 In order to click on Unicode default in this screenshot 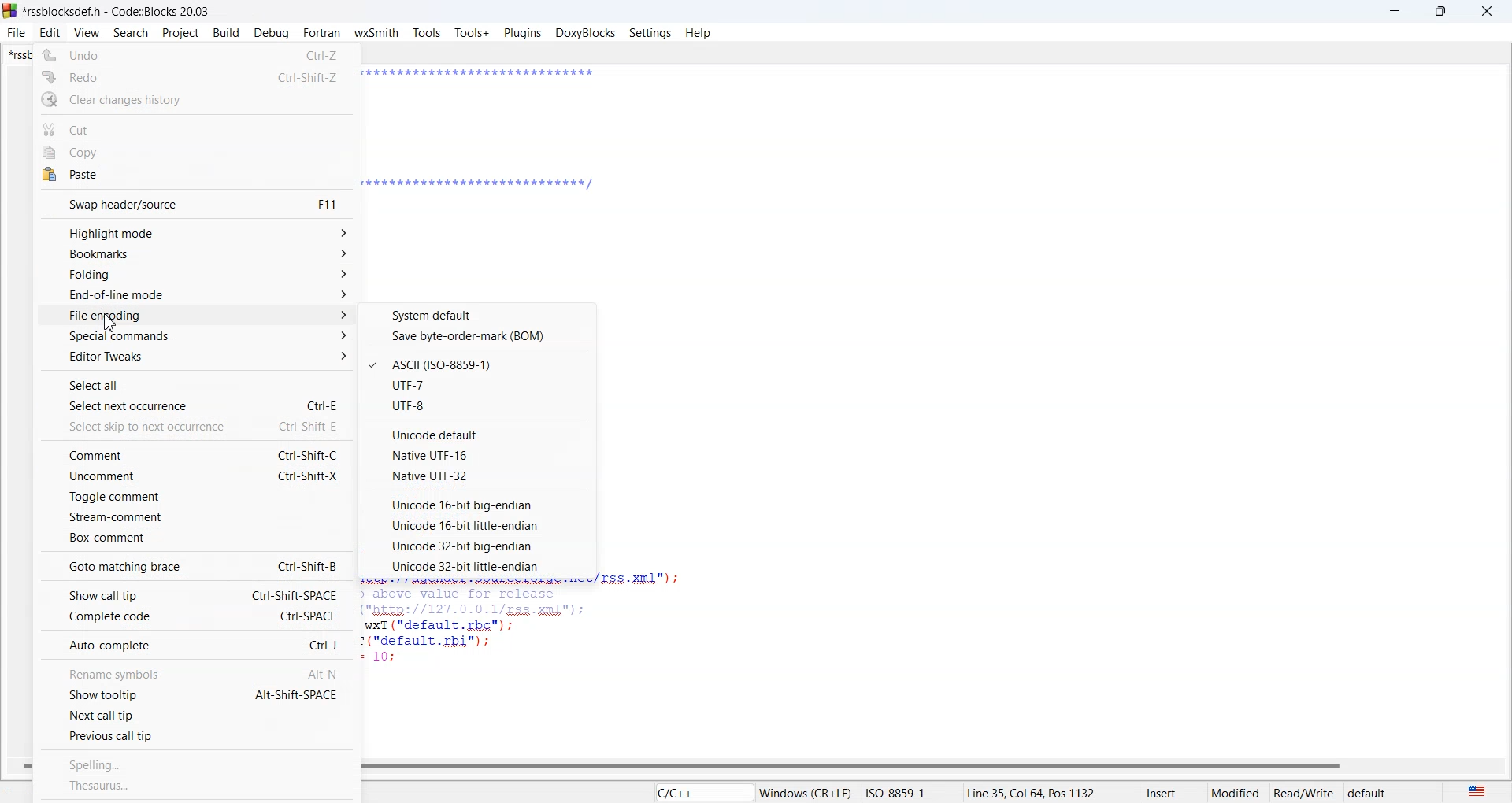, I will do `click(480, 432)`.